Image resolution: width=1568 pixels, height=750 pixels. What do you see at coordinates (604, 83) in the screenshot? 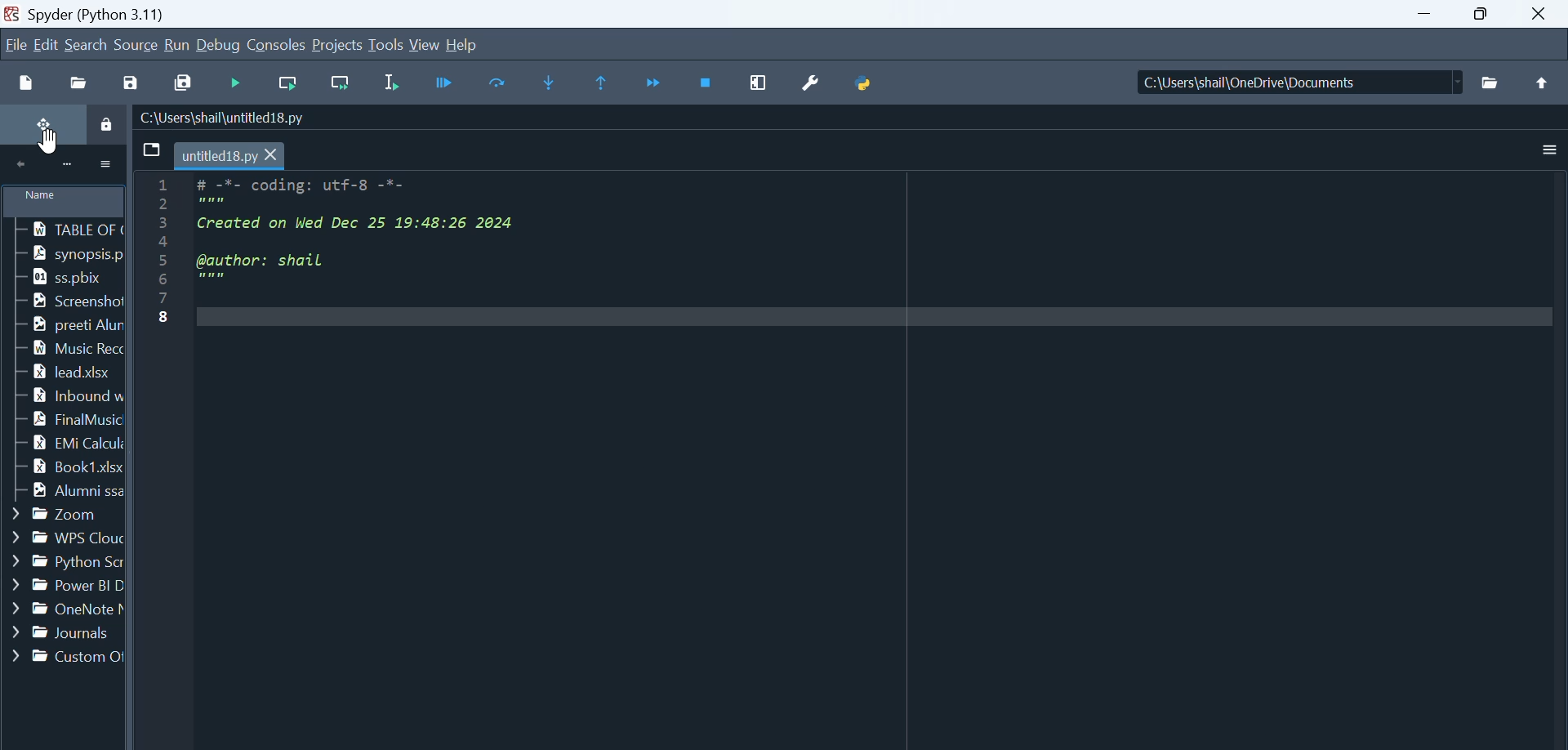
I see `Execute until same function returns` at bounding box center [604, 83].